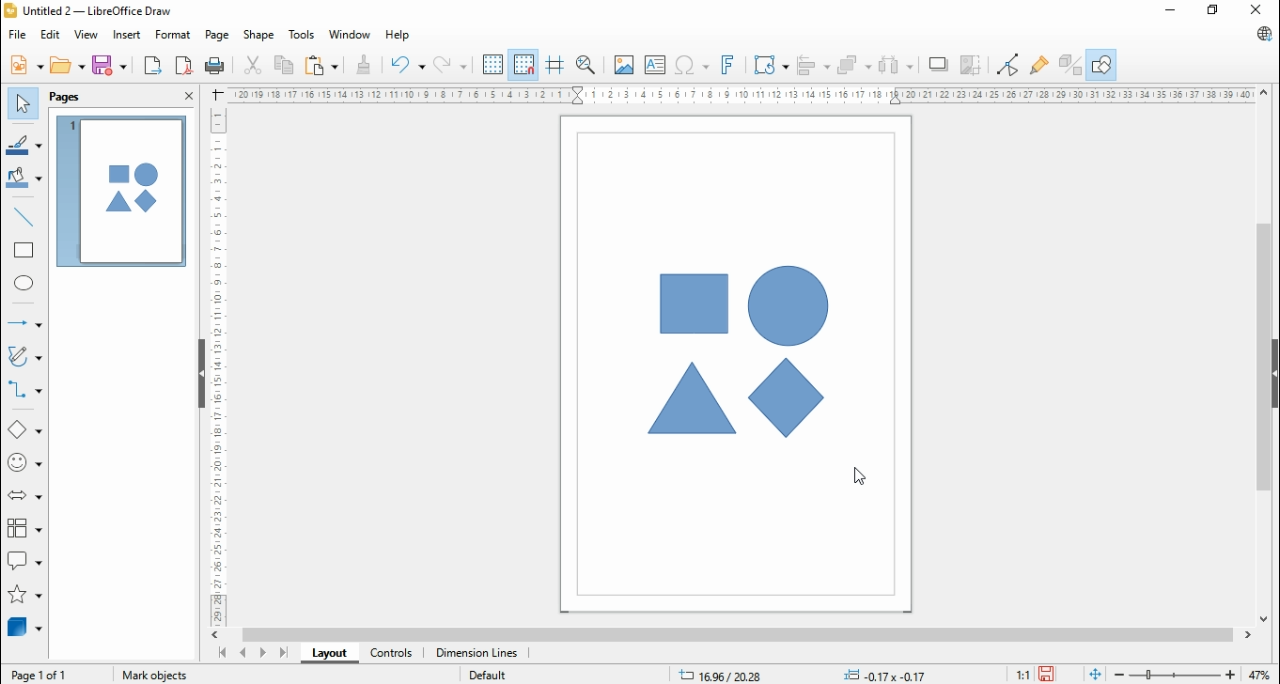  What do you see at coordinates (971, 66) in the screenshot?
I see `crop` at bounding box center [971, 66].